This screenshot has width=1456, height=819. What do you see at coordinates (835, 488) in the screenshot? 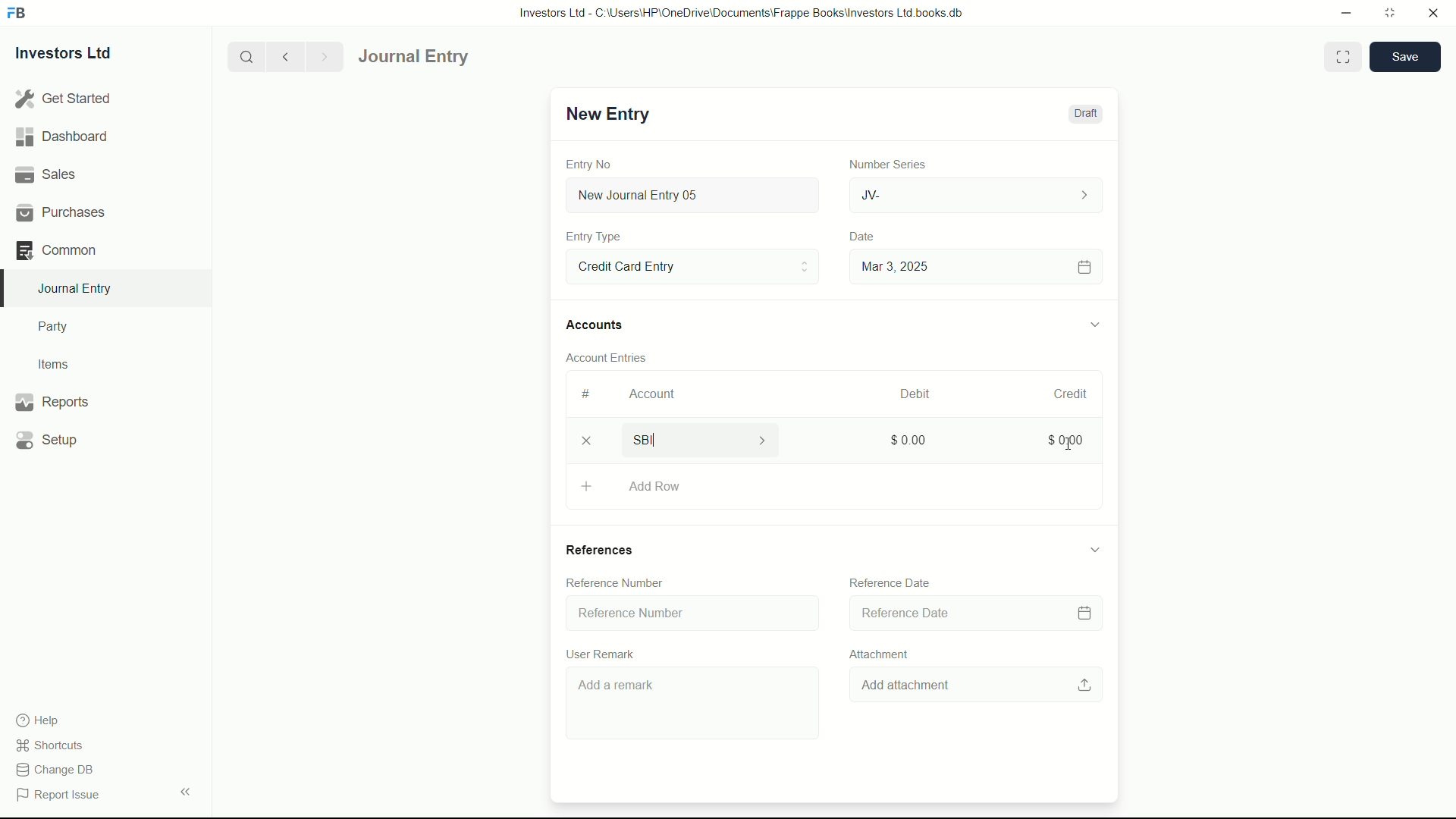
I see `Add Row` at bounding box center [835, 488].